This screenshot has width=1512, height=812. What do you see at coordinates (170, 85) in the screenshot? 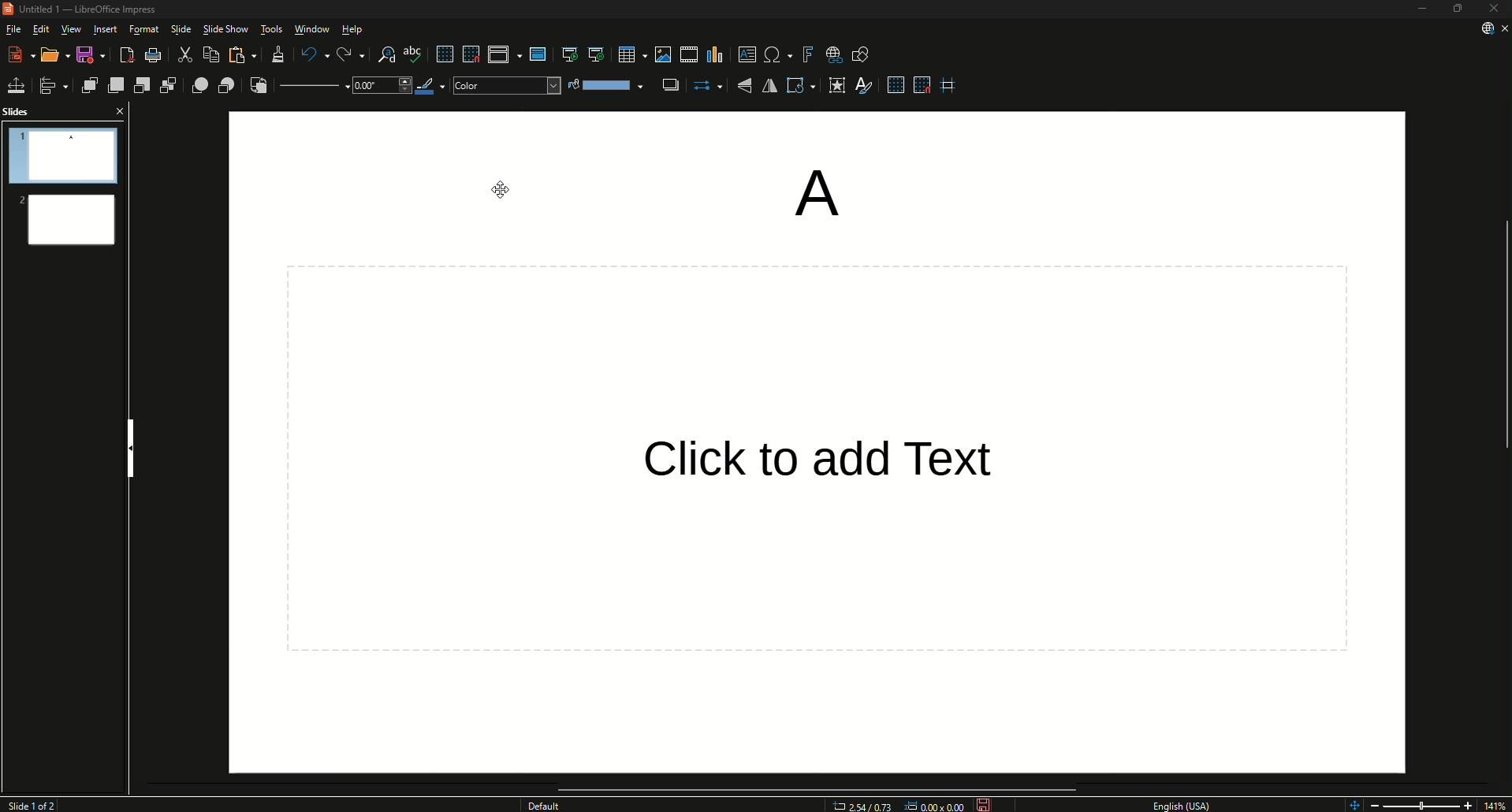
I see `Send to Back` at bounding box center [170, 85].